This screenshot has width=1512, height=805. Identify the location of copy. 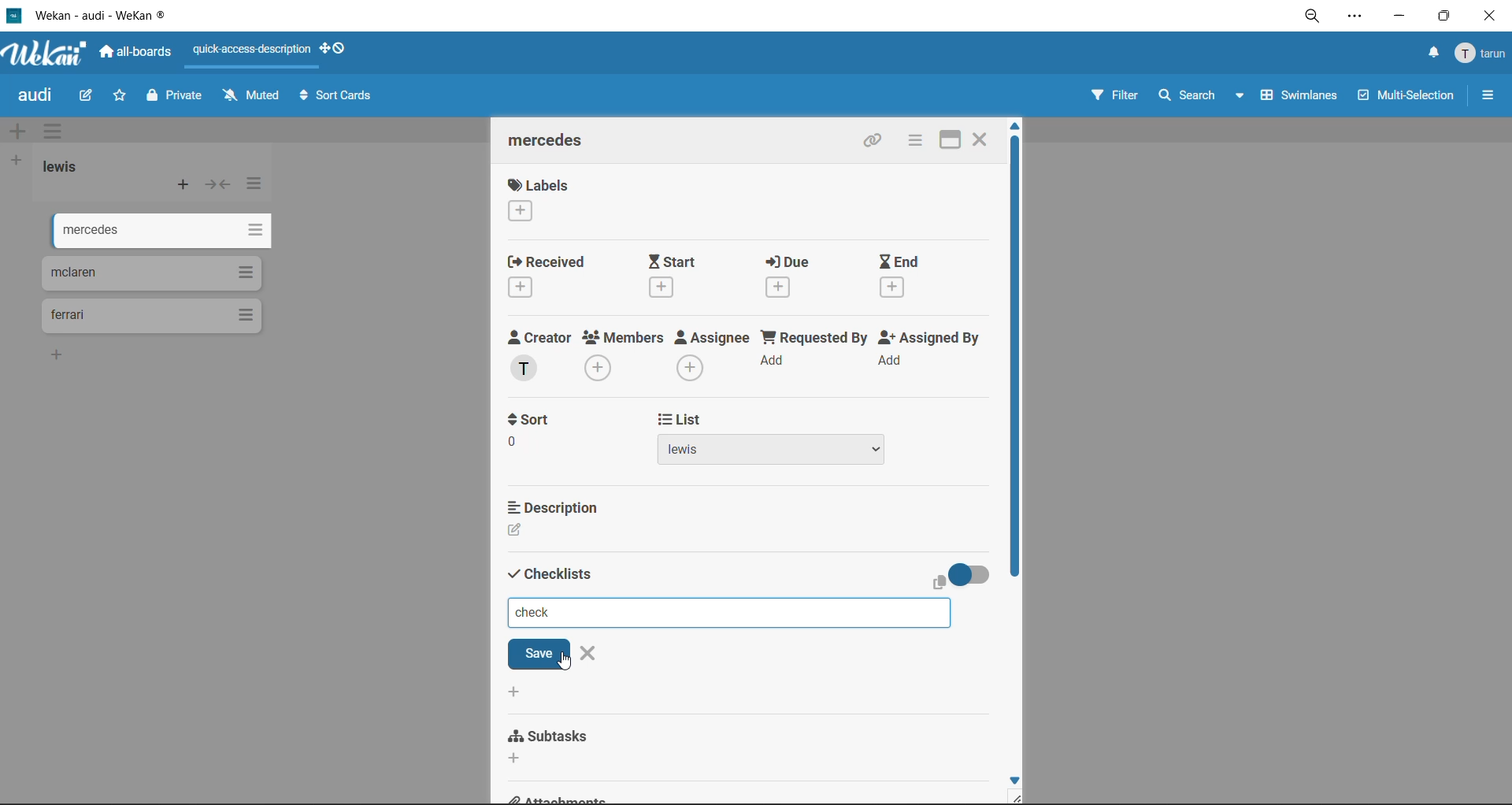
(877, 143).